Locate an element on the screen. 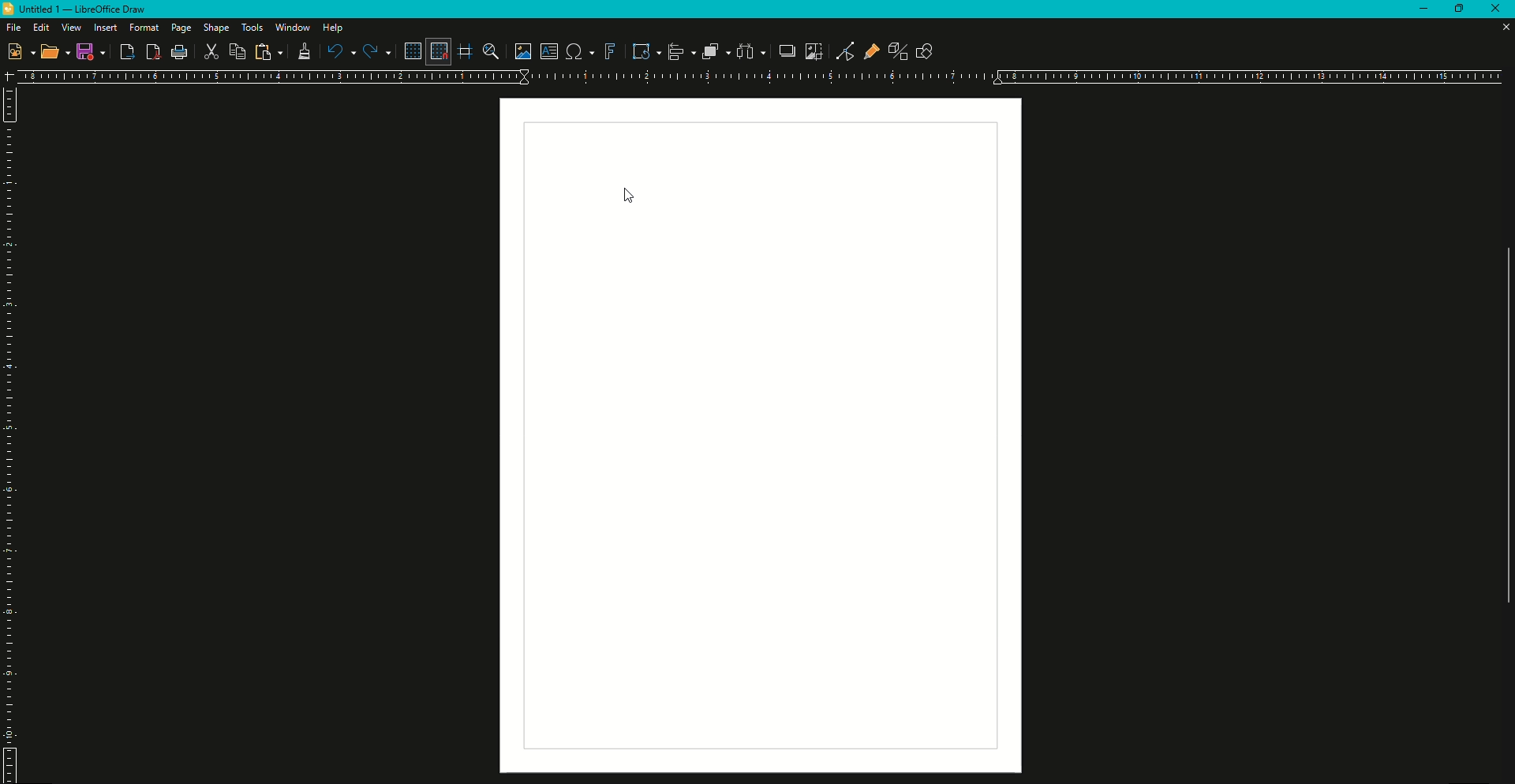  Transformation is located at coordinates (645, 52).